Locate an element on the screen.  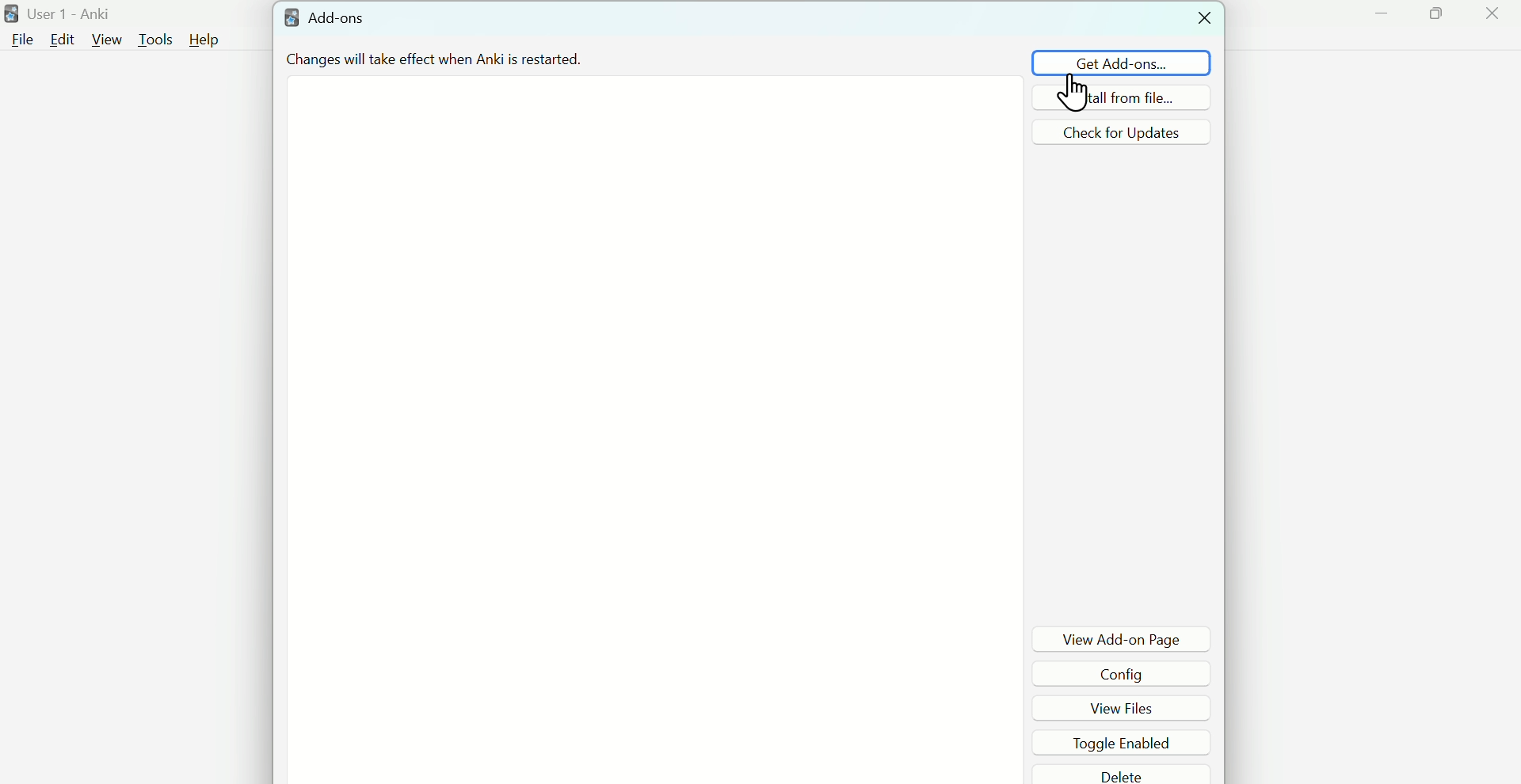
Get add Ons is located at coordinates (1122, 63).